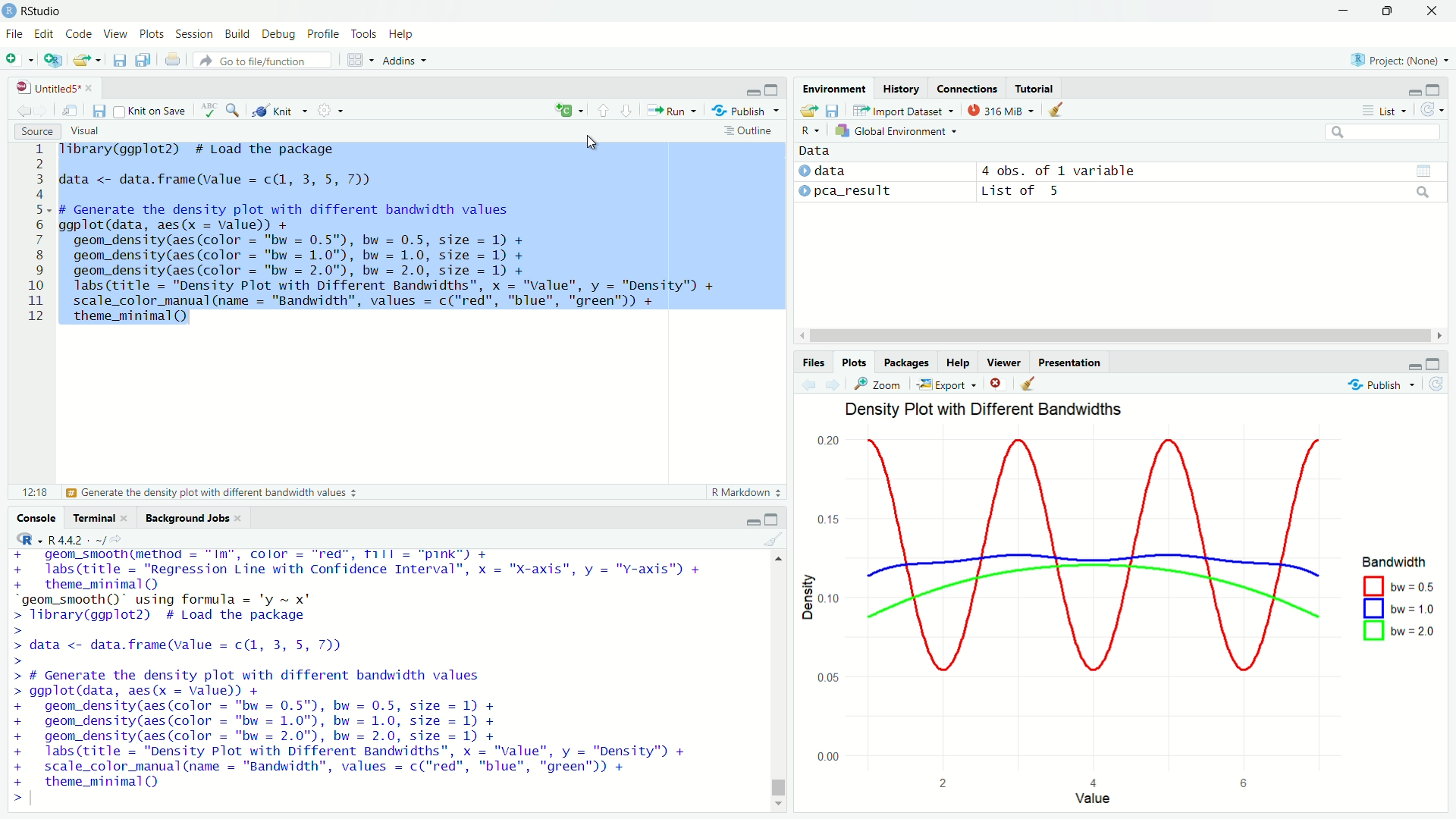 This screenshot has height=819, width=1456. I want to click on cursor, so click(593, 142).